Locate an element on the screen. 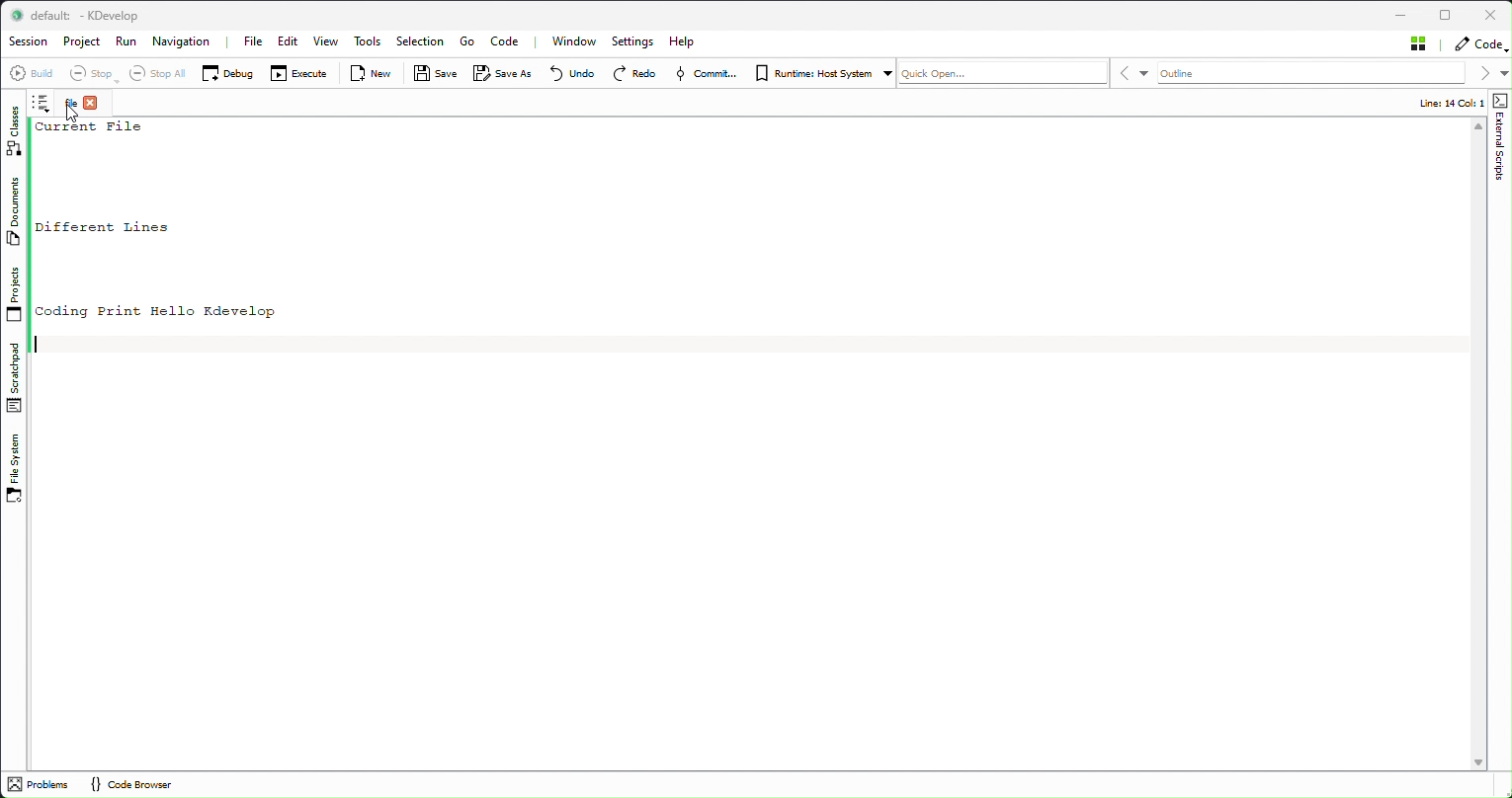 This screenshot has width=1512, height=798. Shape is located at coordinates (1501, 138).